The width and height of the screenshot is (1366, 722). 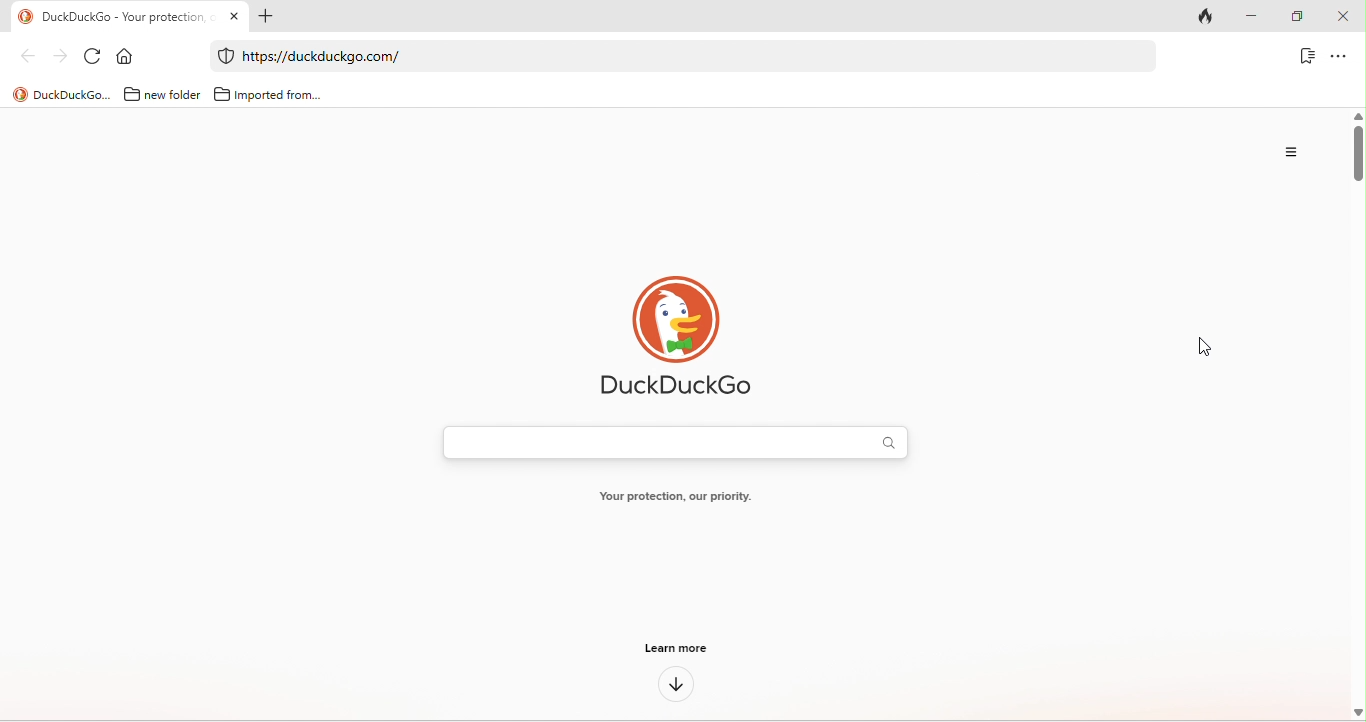 I want to click on option, so click(x=1340, y=57).